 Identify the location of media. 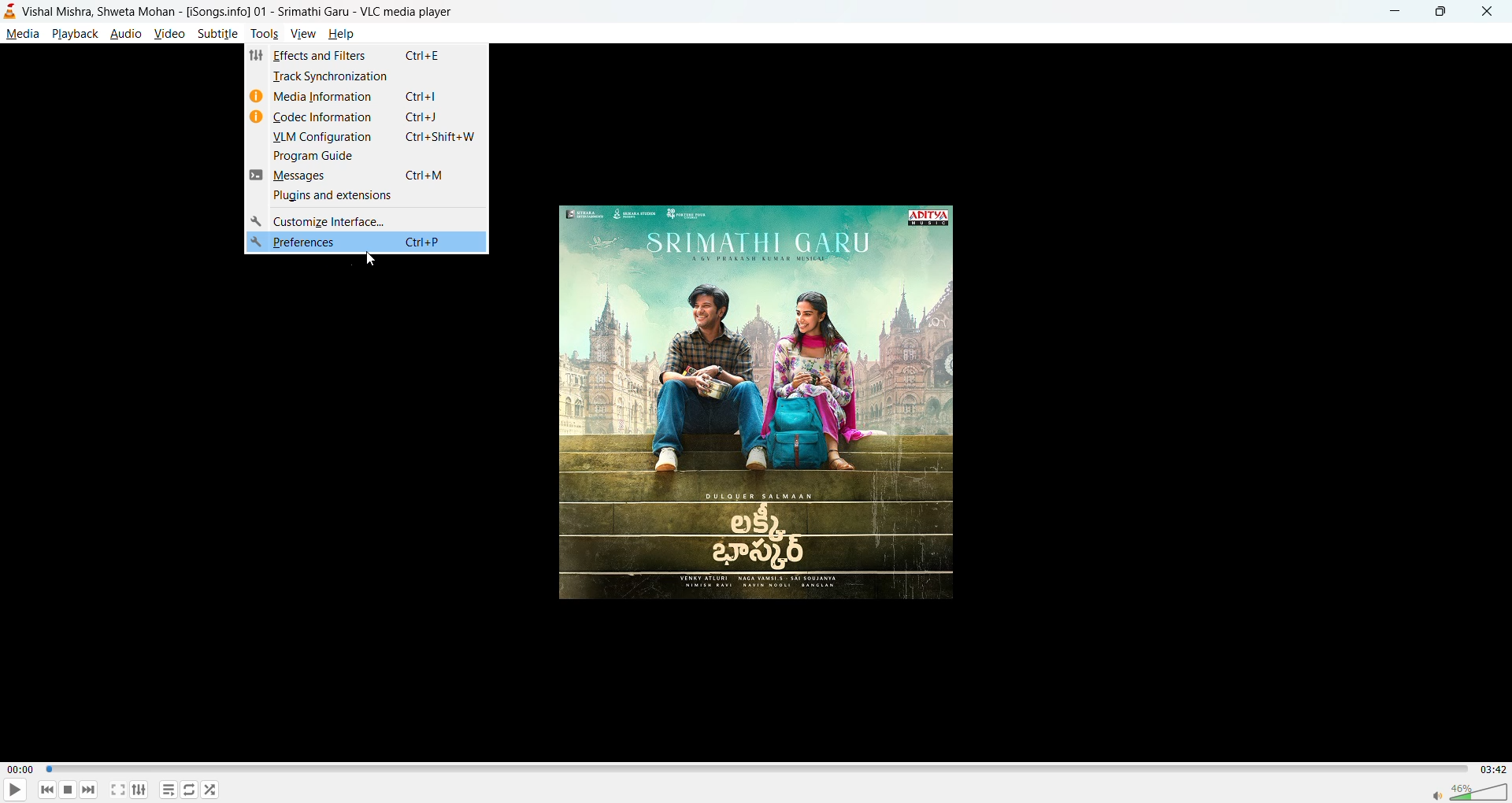
(22, 34).